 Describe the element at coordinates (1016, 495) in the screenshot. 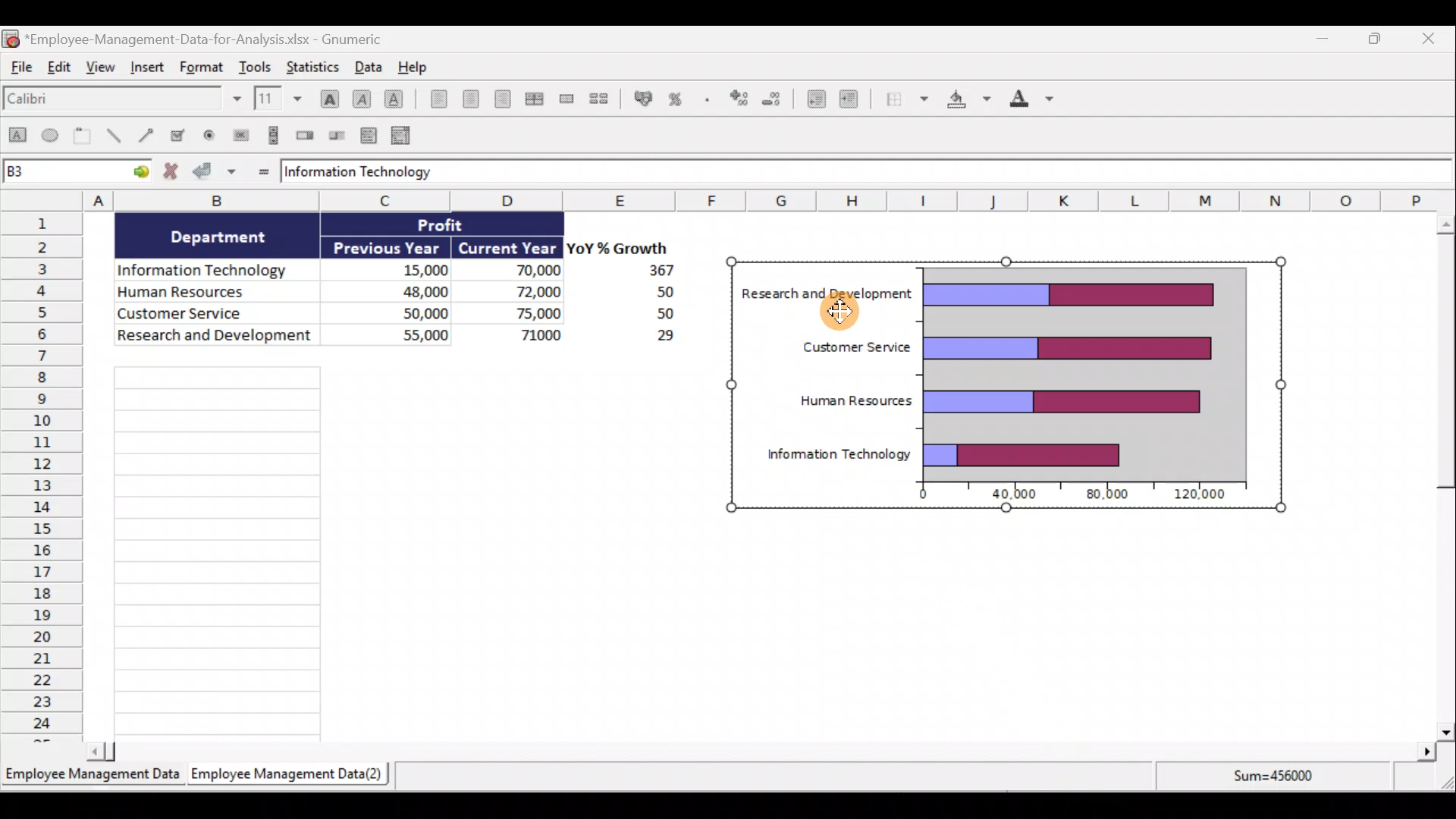

I see `40.000` at that location.